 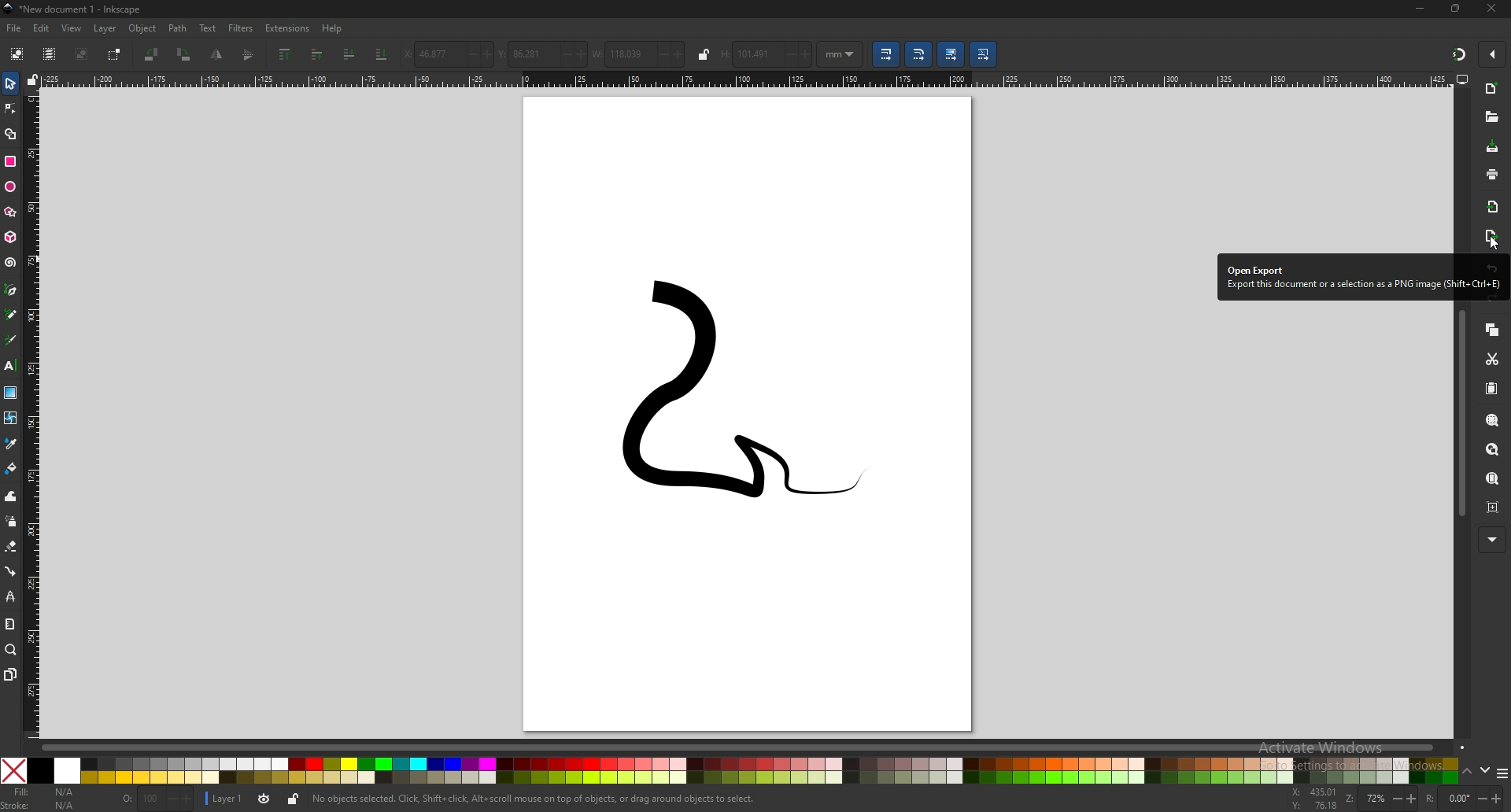 I want to click on help, so click(x=333, y=29).